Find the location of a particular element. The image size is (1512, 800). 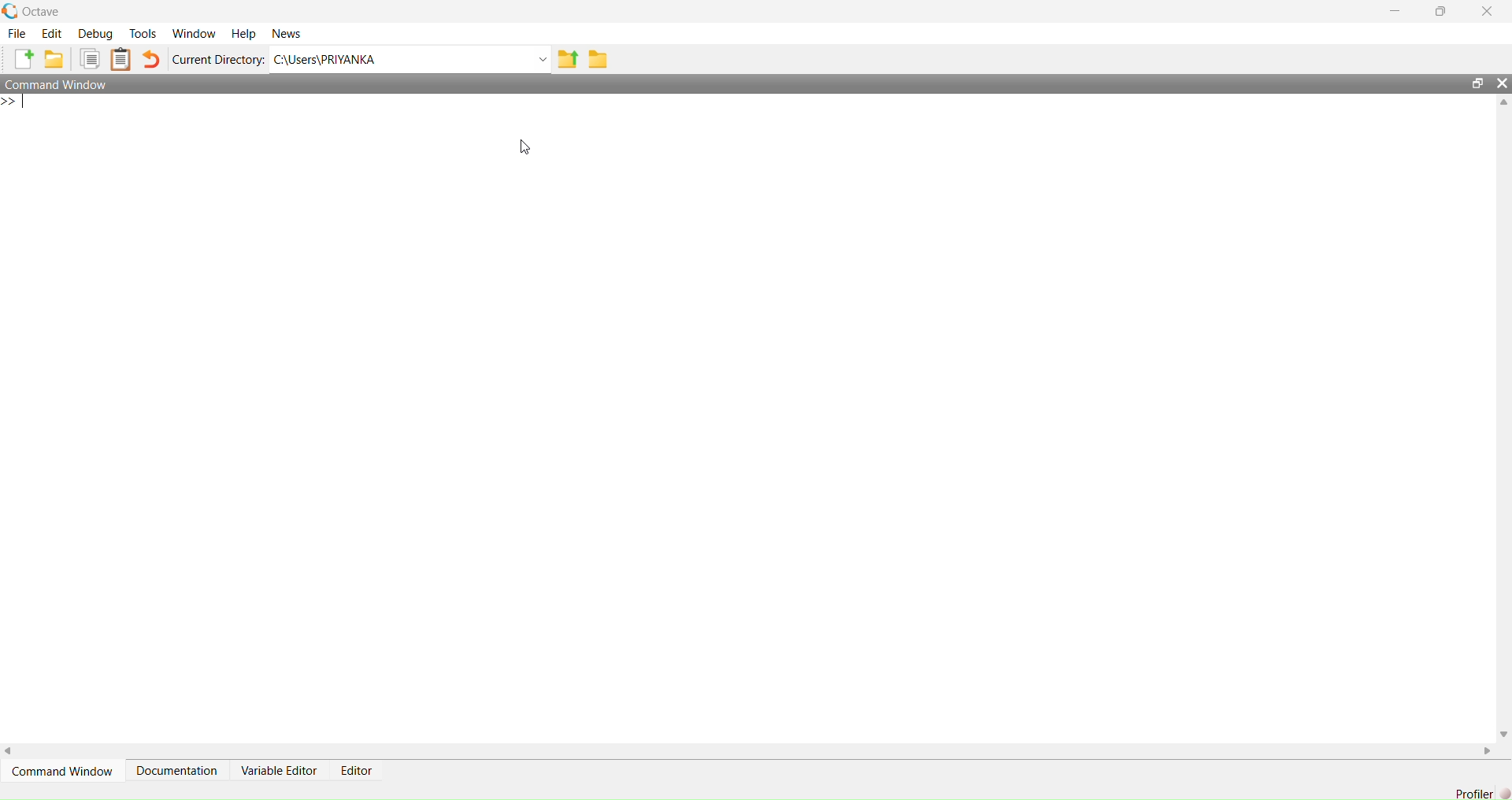

Edit is located at coordinates (52, 34).